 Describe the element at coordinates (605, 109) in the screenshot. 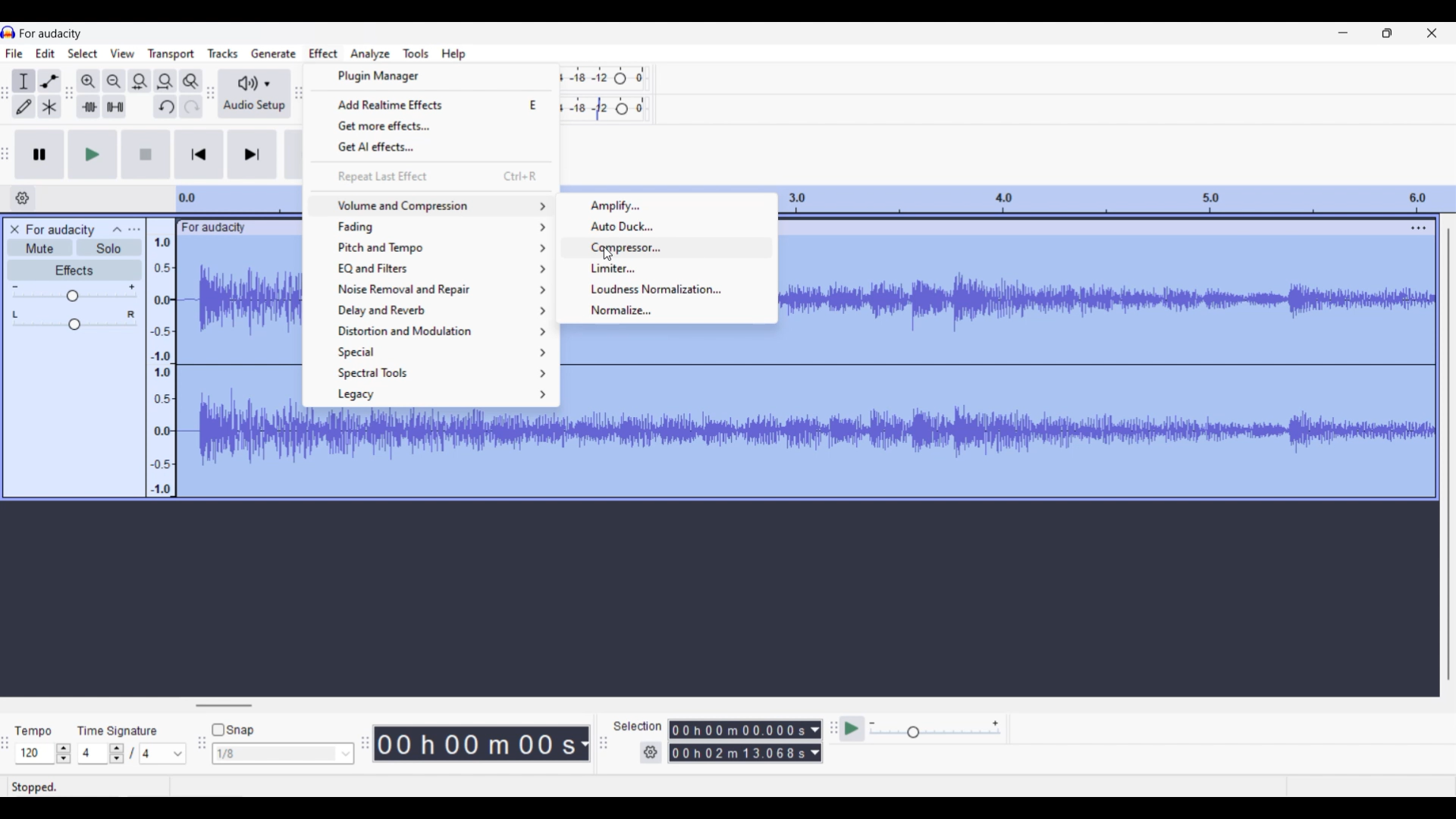

I see `Playback level` at that location.